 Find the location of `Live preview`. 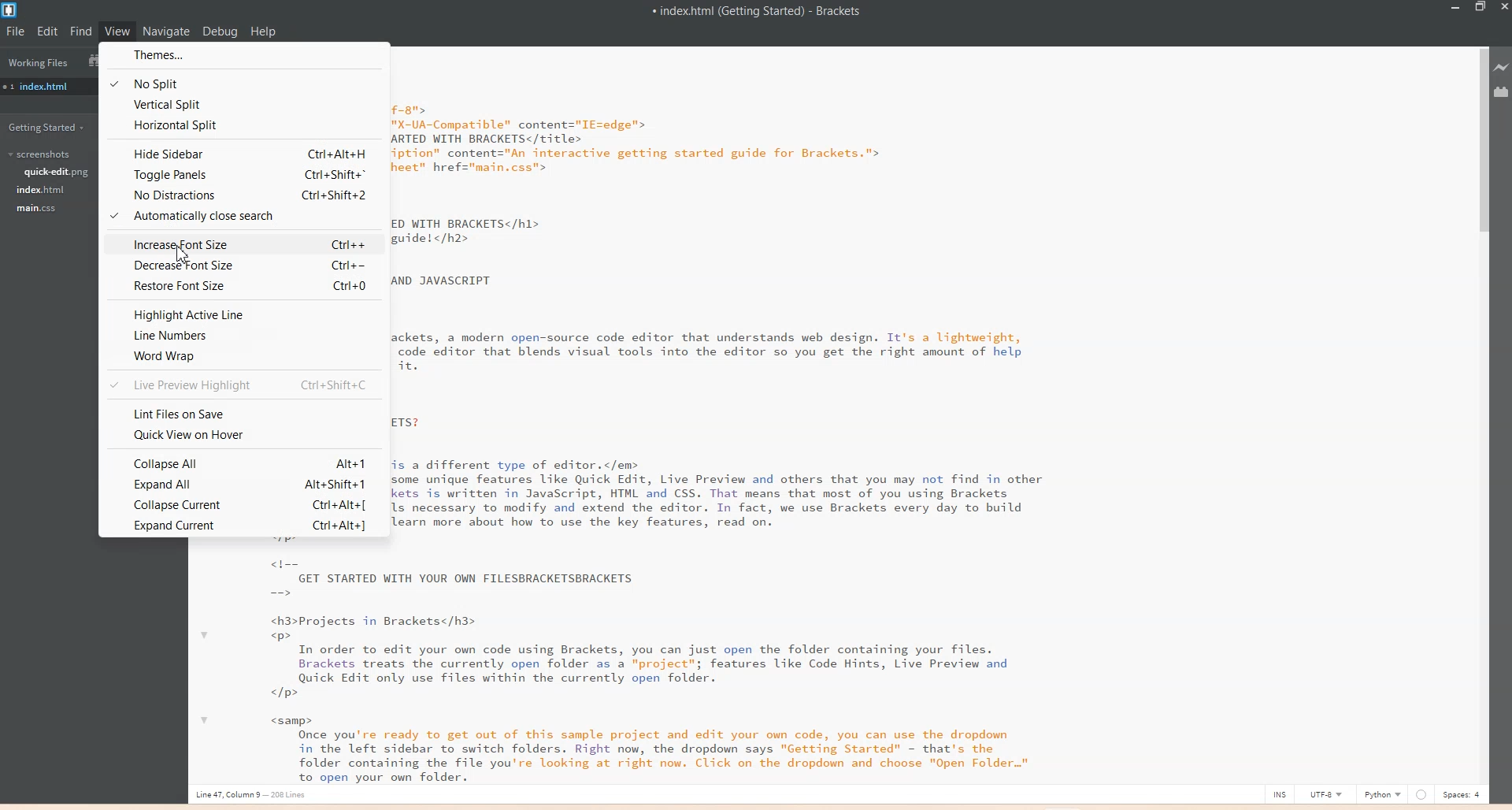

Live preview is located at coordinates (1502, 69).